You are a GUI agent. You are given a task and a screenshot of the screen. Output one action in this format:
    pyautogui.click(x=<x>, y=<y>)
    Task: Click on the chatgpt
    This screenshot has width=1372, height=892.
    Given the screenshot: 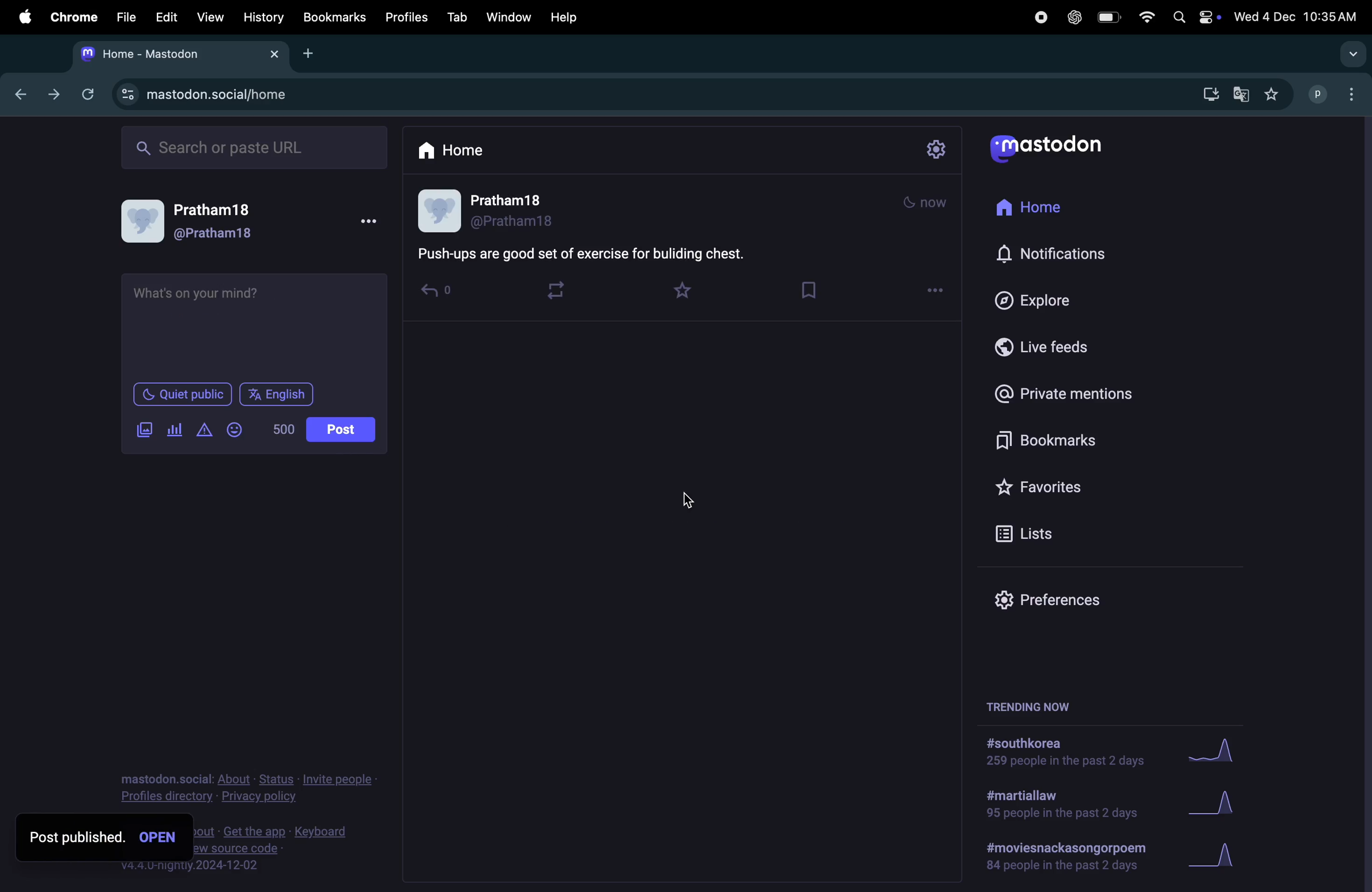 What is the action you would take?
    pyautogui.click(x=1071, y=19)
    